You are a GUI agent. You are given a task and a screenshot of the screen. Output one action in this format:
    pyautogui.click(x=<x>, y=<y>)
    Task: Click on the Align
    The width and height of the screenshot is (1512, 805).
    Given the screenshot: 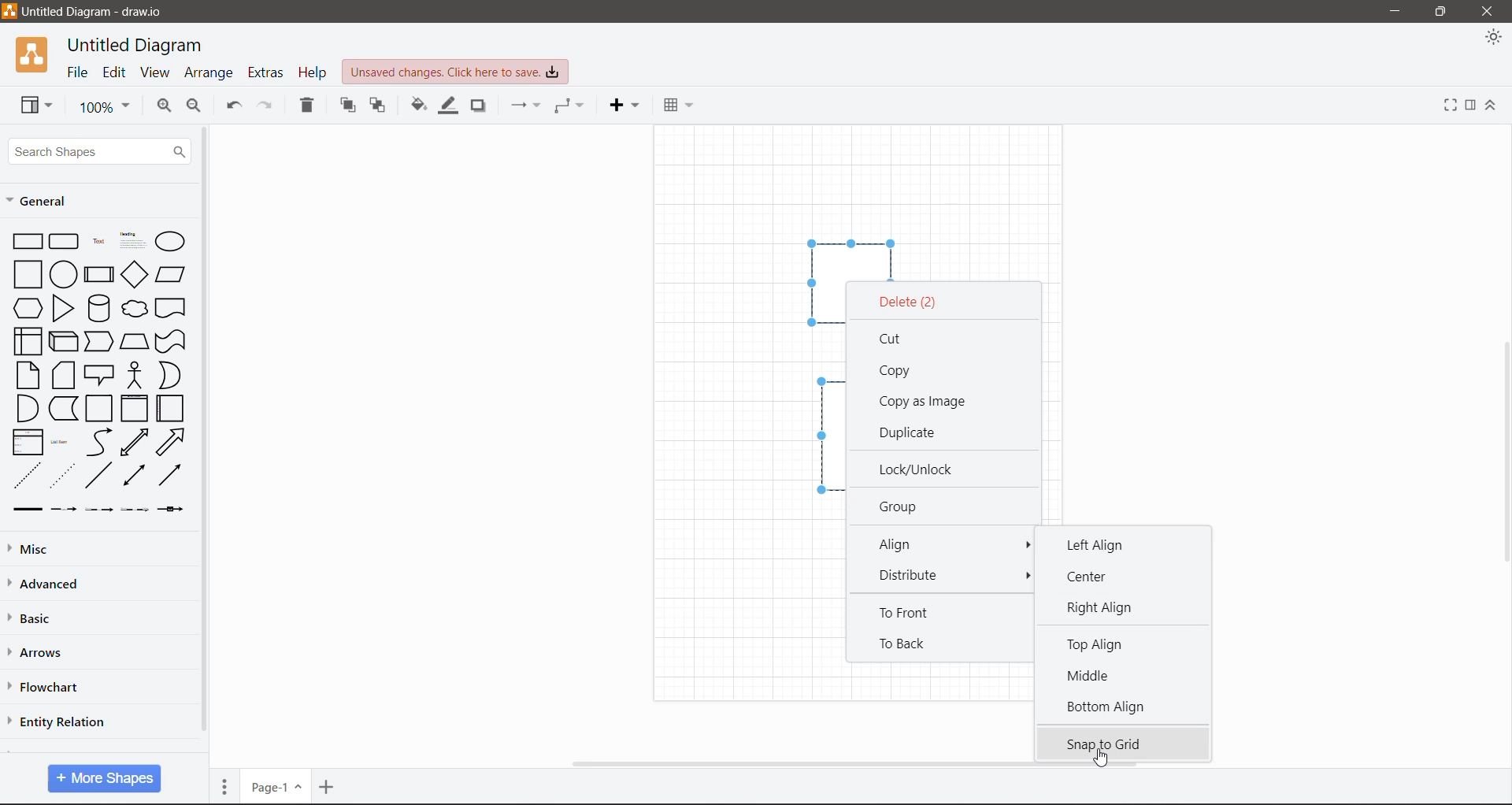 What is the action you would take?
    pyautogui.click(x=941, y=543)
    